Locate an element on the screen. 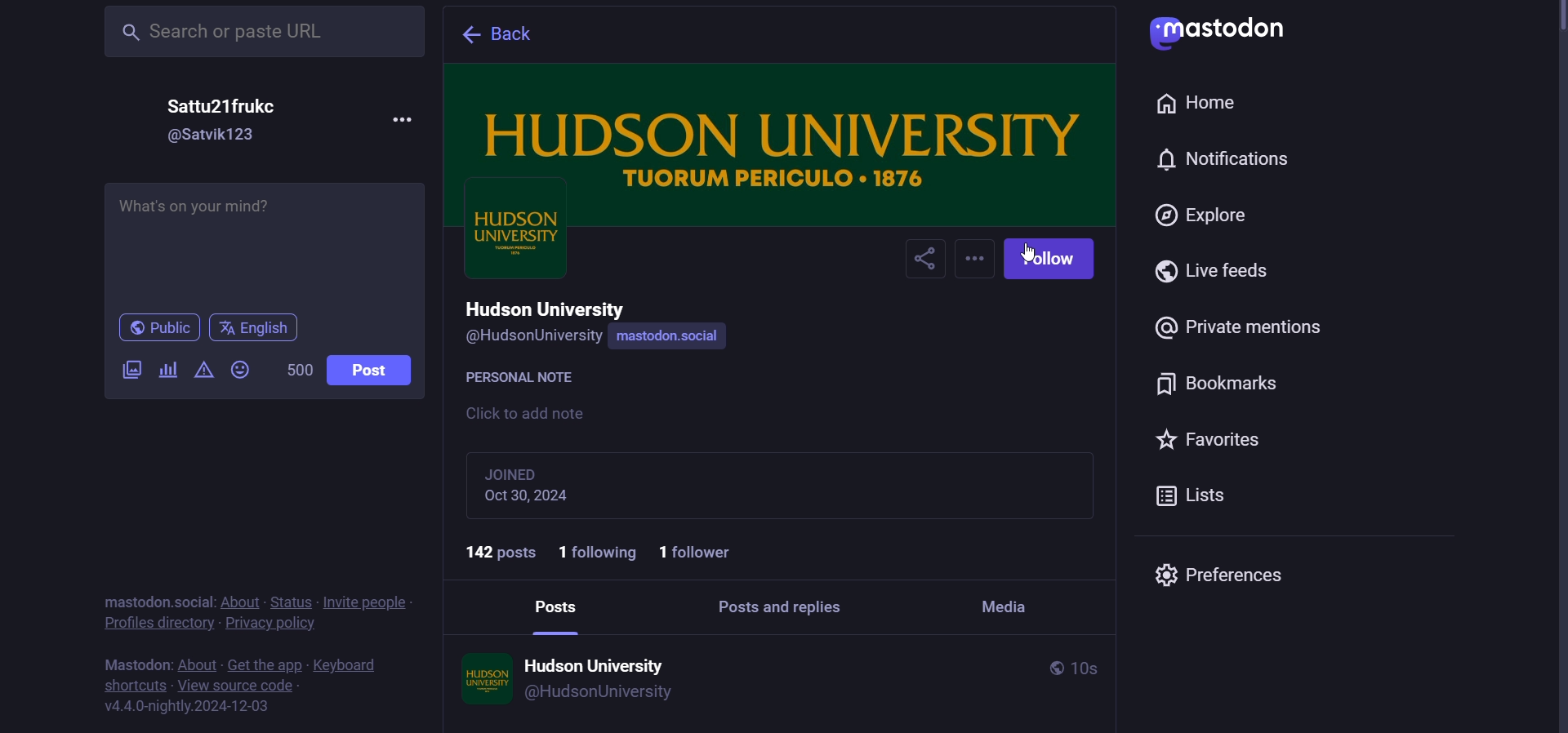  mastodon social is located at coordinates (670, 338).